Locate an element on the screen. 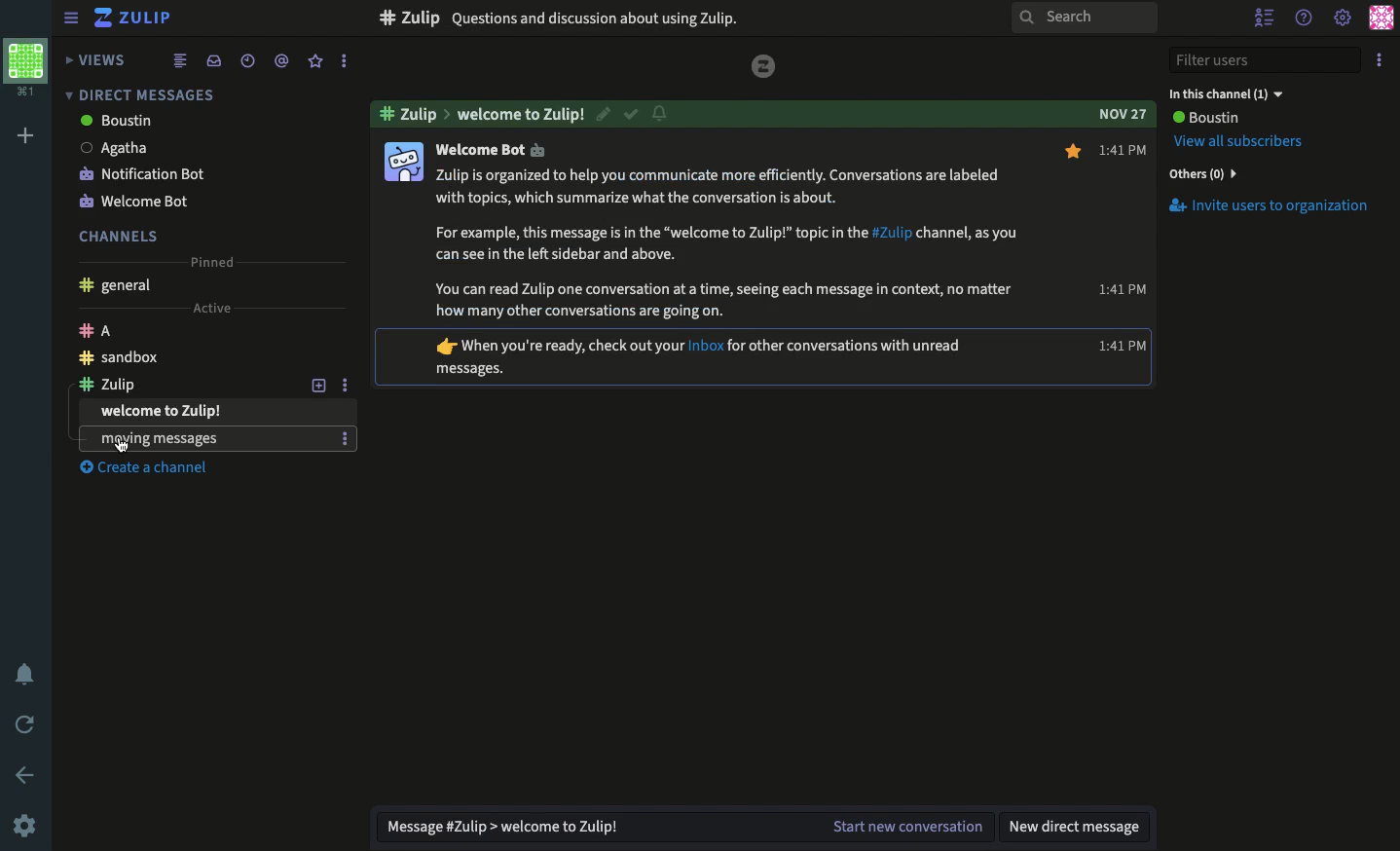 Image resolution: width=1400 pixels, height=851 pixels. Others is located at coordinates (1200, 173).